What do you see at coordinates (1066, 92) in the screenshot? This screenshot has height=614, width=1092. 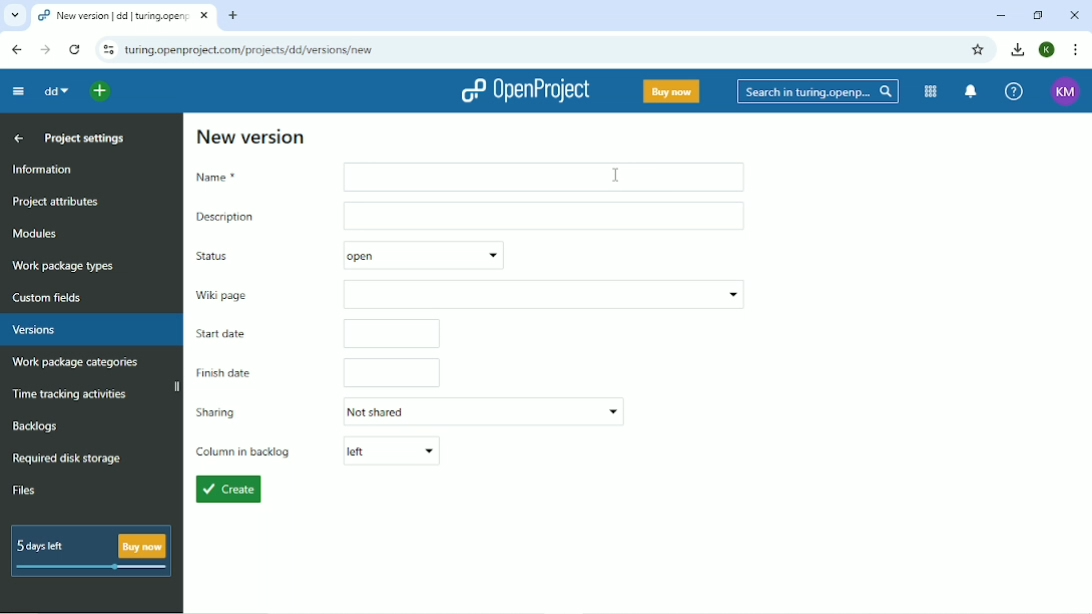 I see `Account` at bounding box center [1066, 92].